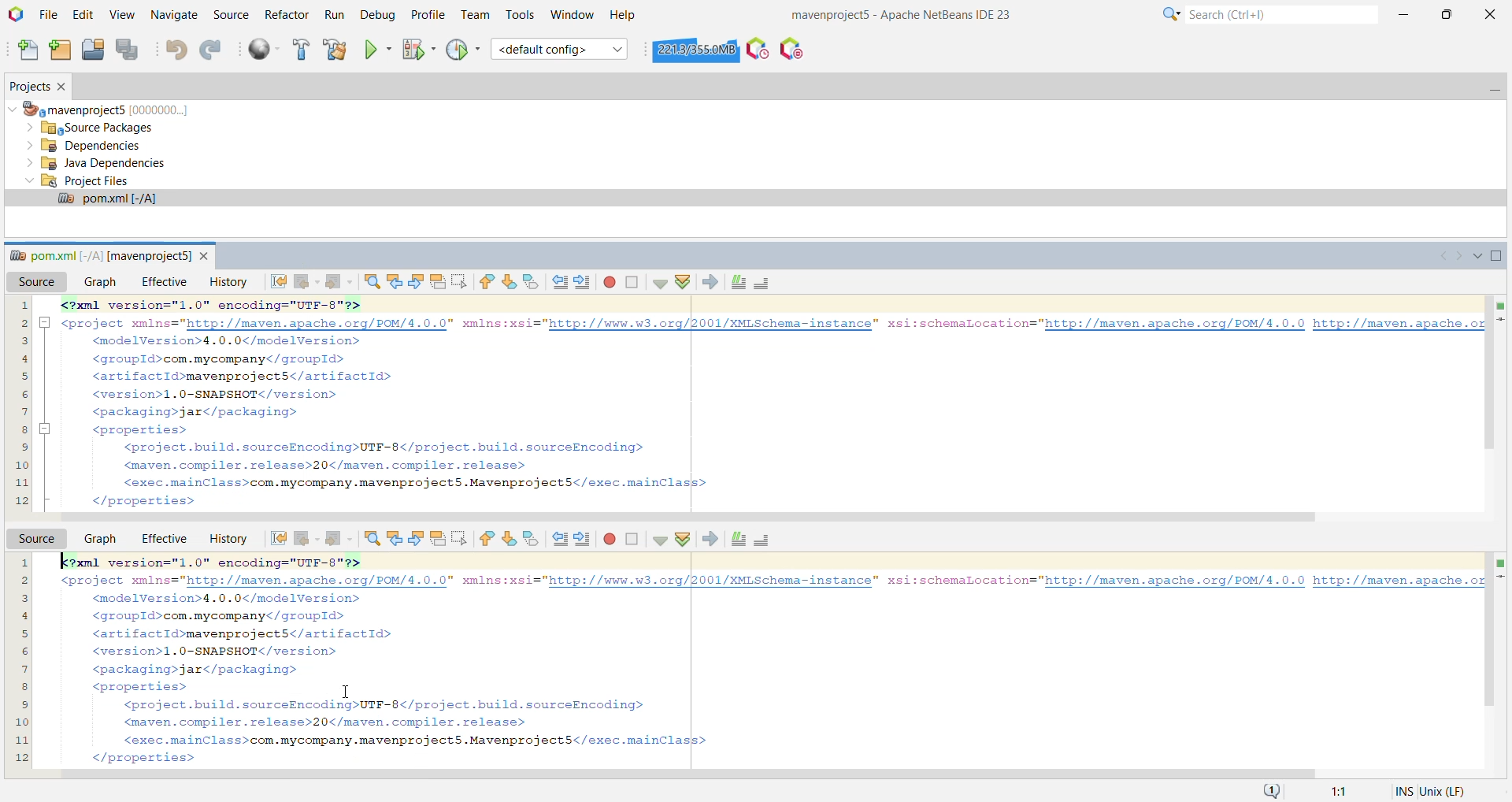  Describe the element at coordinates (307, 280) in the screenshot. I see `Back` at that location.